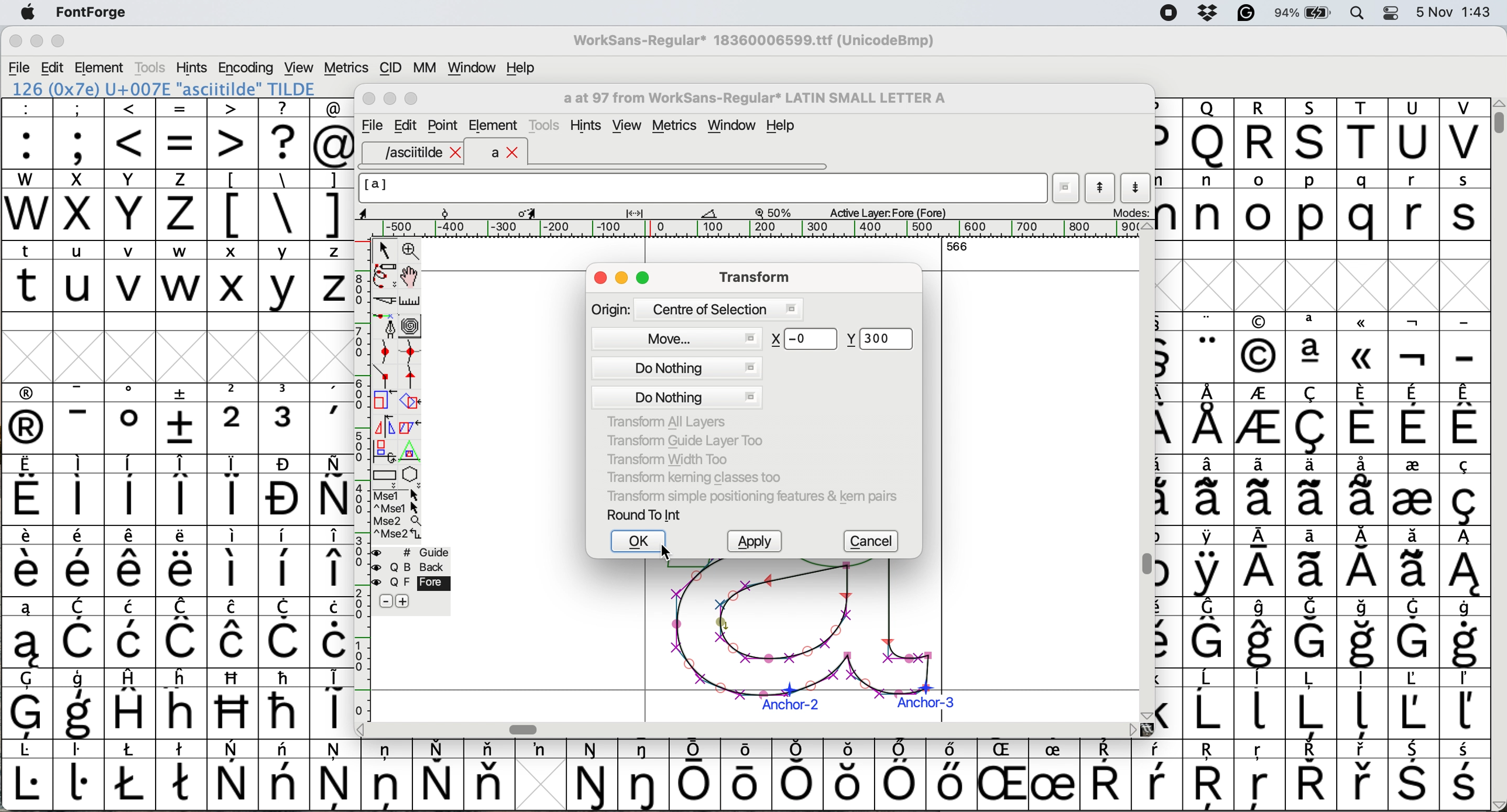  I want to click on symbol, so click(1262, 490).